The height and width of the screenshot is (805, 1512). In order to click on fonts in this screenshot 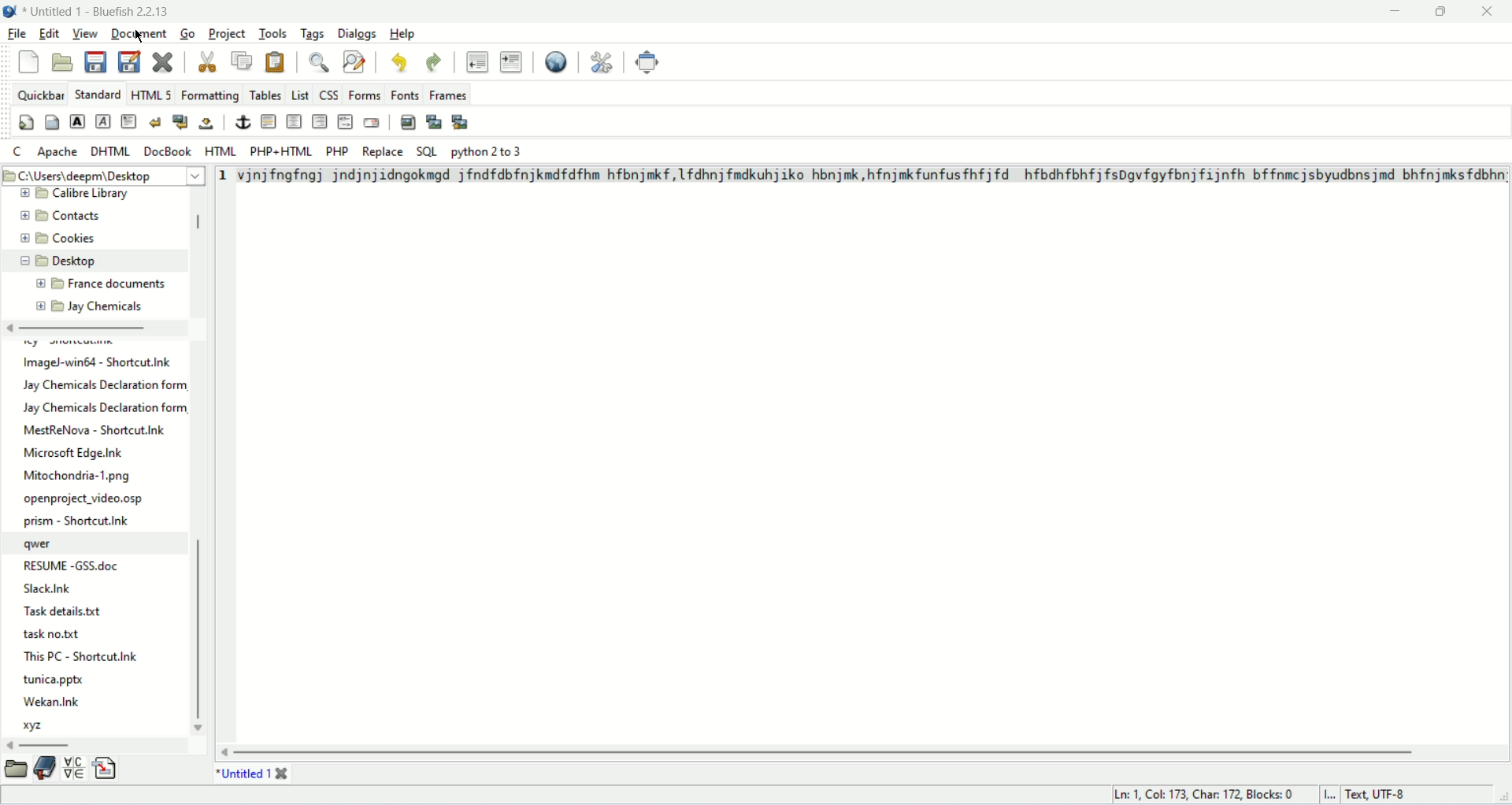, I will do `click(405, 95)`.